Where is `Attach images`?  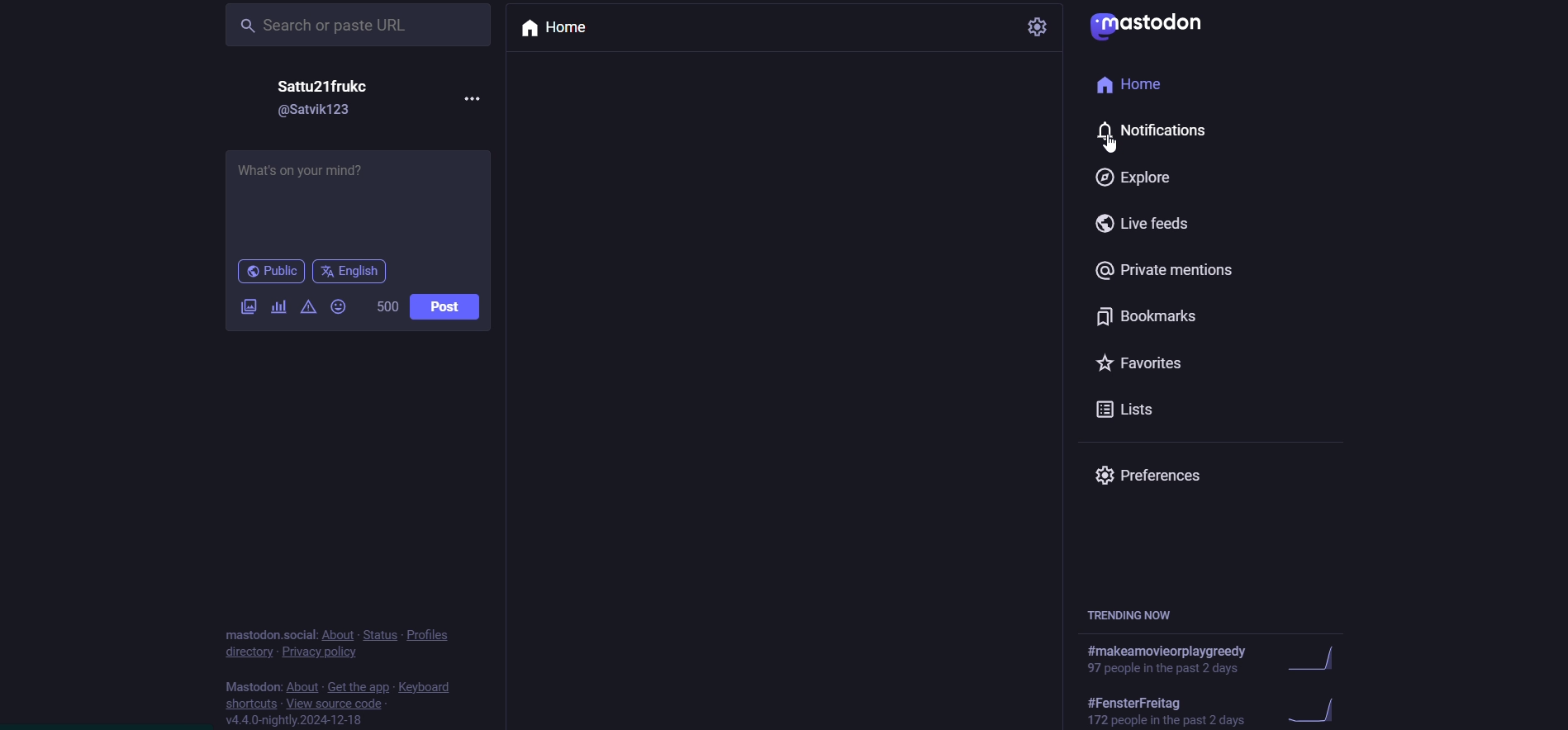 Attach images is located at coordinates (249, 306).